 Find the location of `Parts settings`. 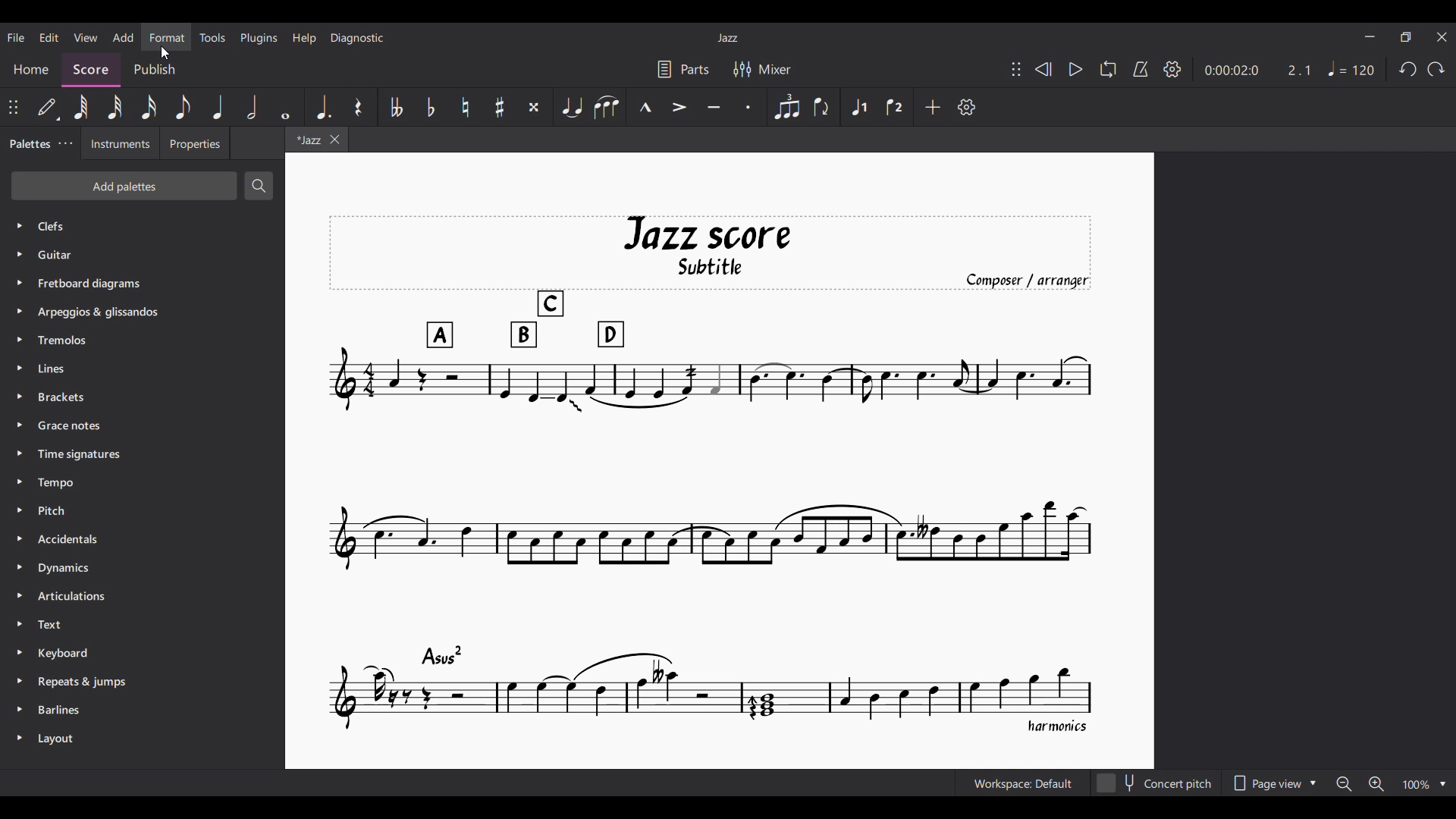

Parts settings is located at coordinates (683, 70).